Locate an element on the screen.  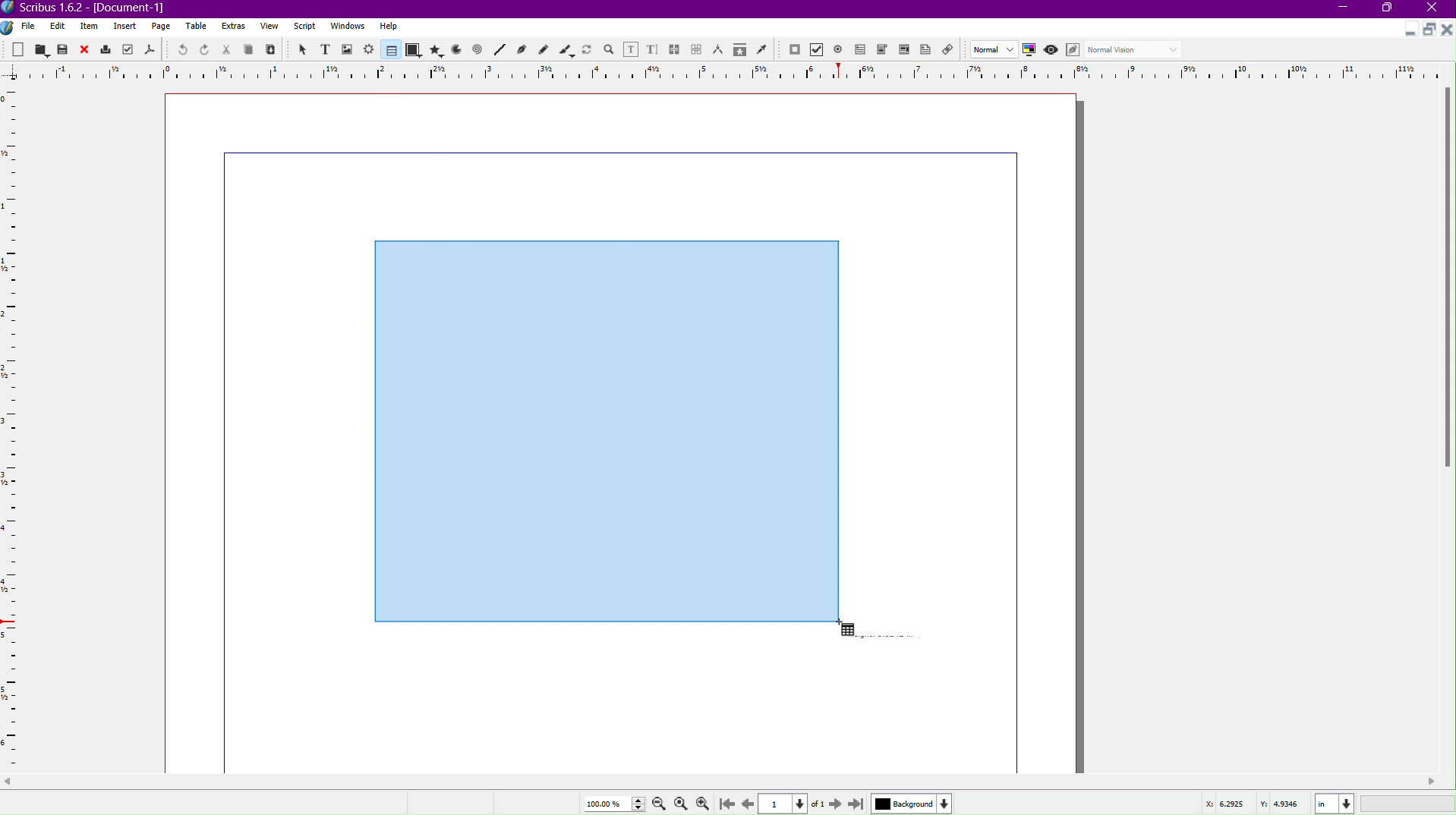
Calligraphic Line is located at coordinates (566, 49).